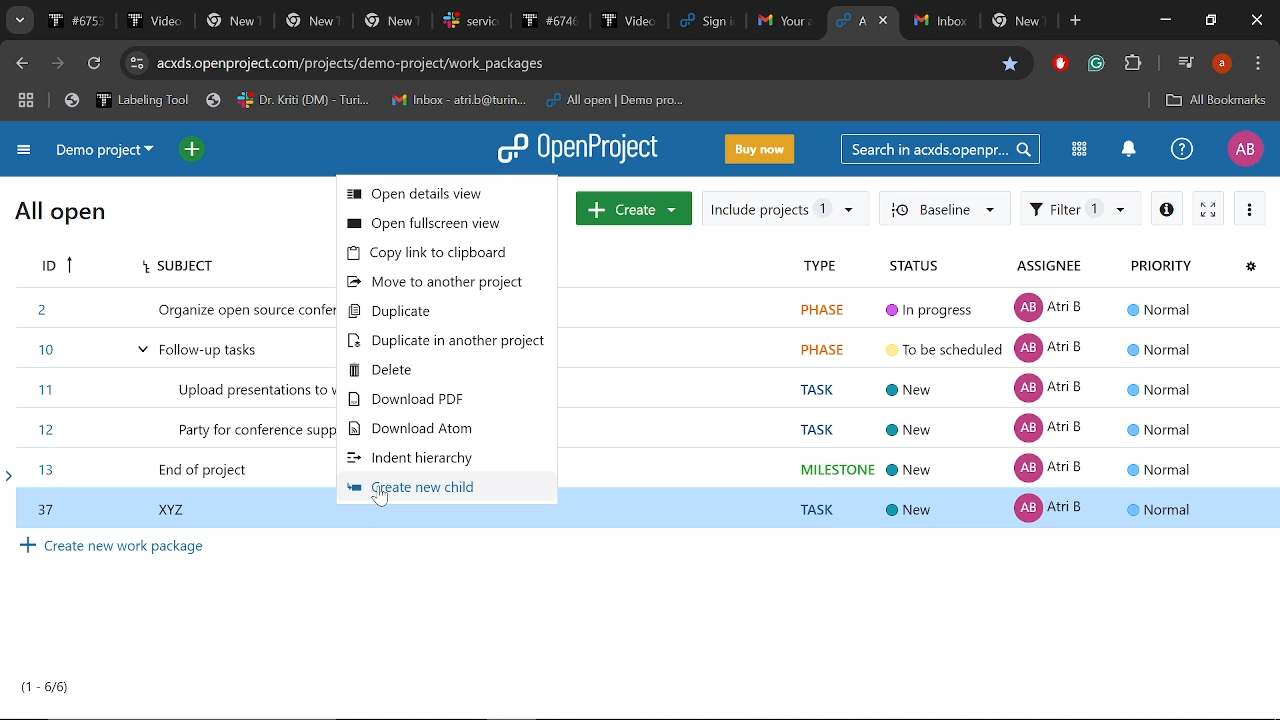 The width and height of the screenshot is (1280, 720). I want to click on Grammerly, so click(1098, 64).